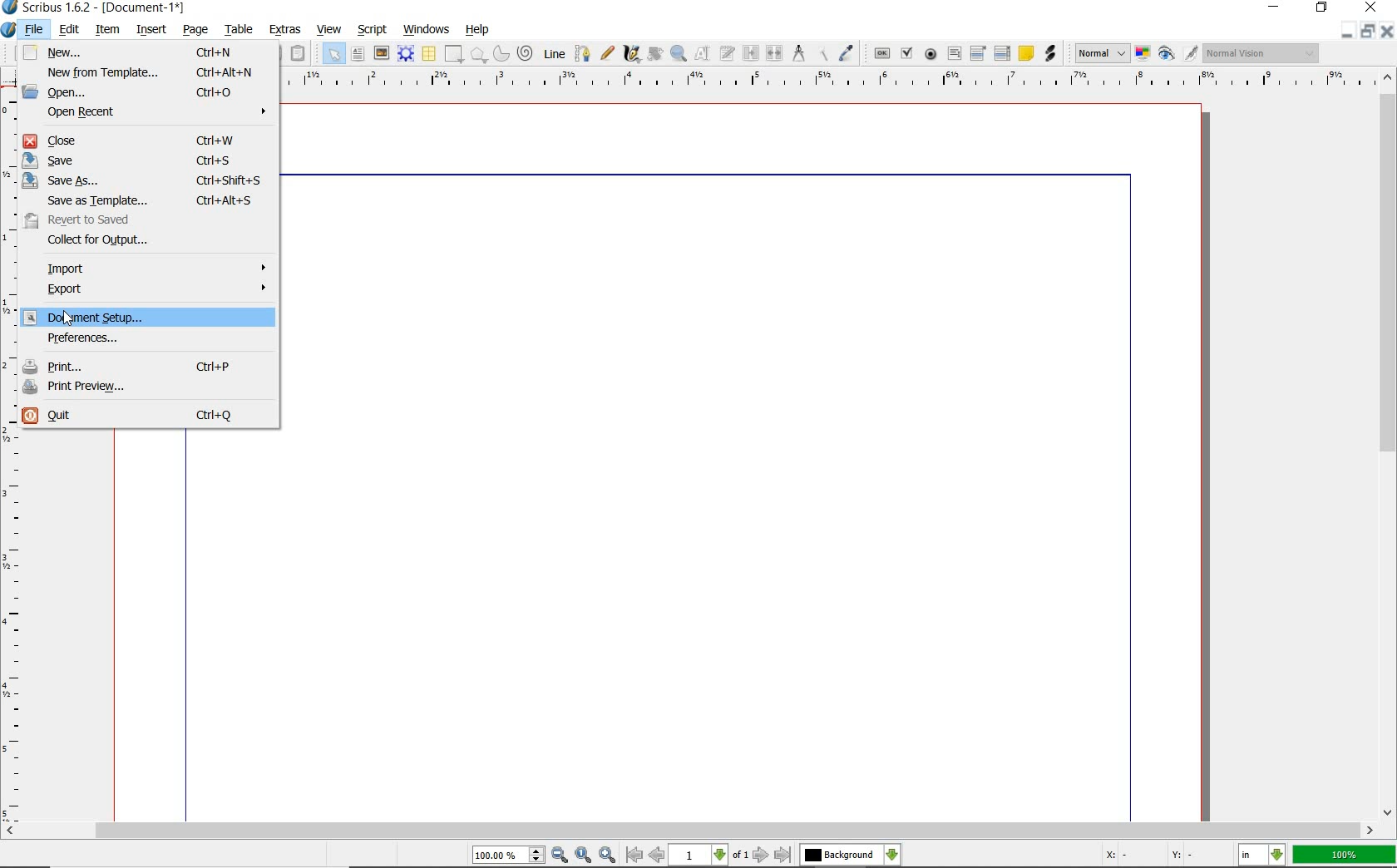  I want to click on help, so click(480, 28).